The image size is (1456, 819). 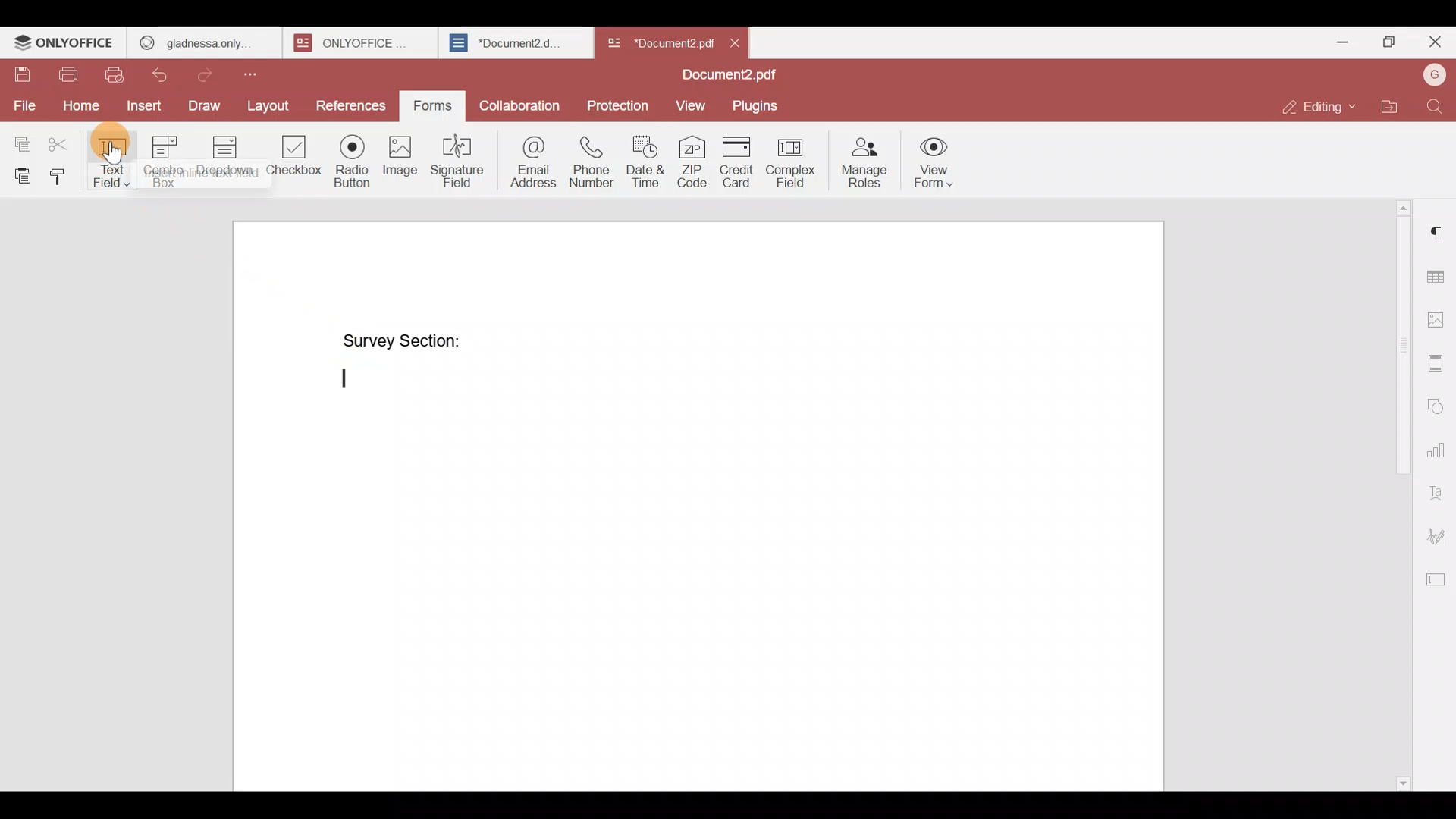 What do you see at coordinates (531, 160) in the screenshot?
I see `Email address` at bounding box center [531, 160].